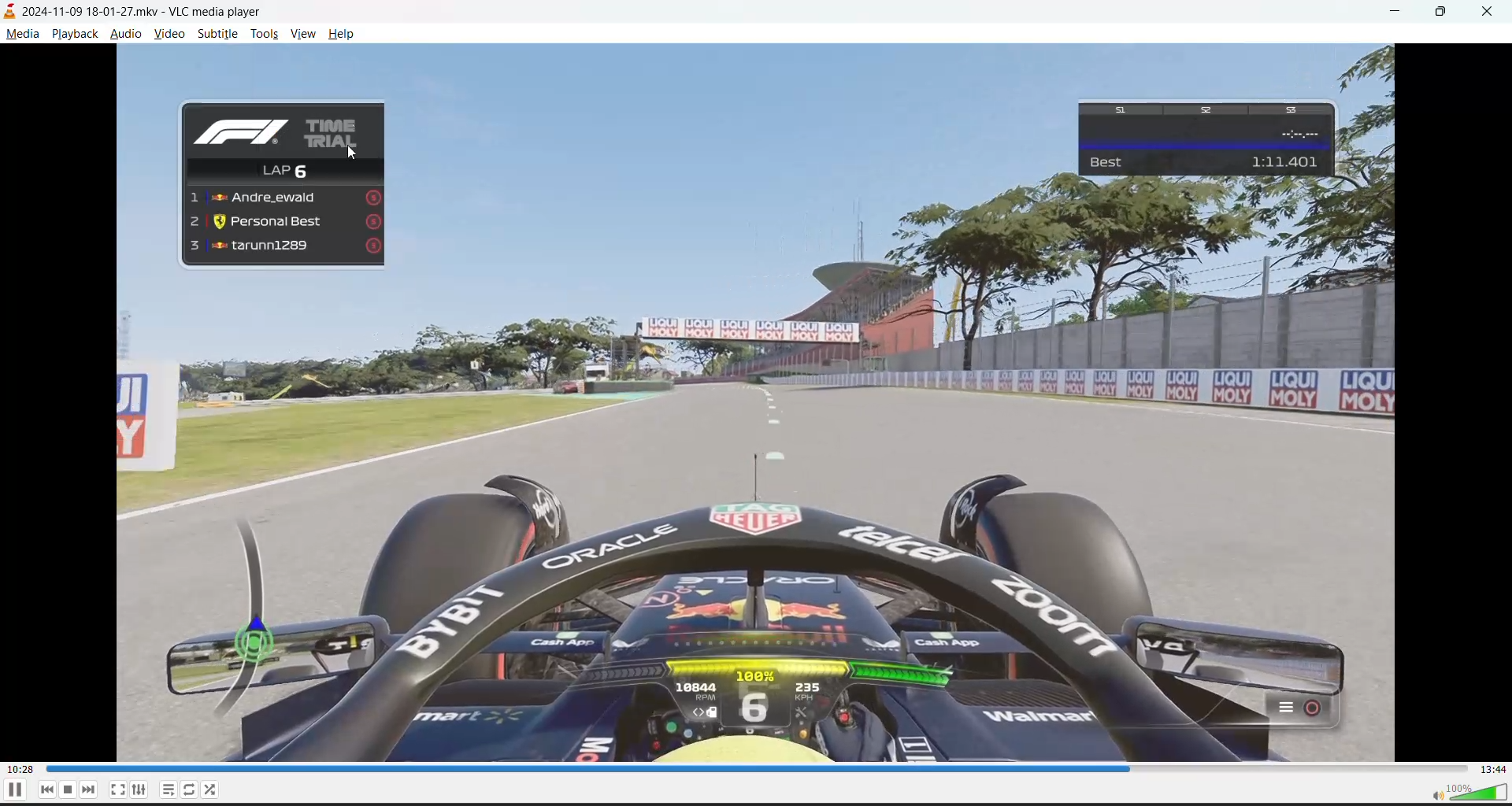  I want to click on subtitle, so click(220, 35).